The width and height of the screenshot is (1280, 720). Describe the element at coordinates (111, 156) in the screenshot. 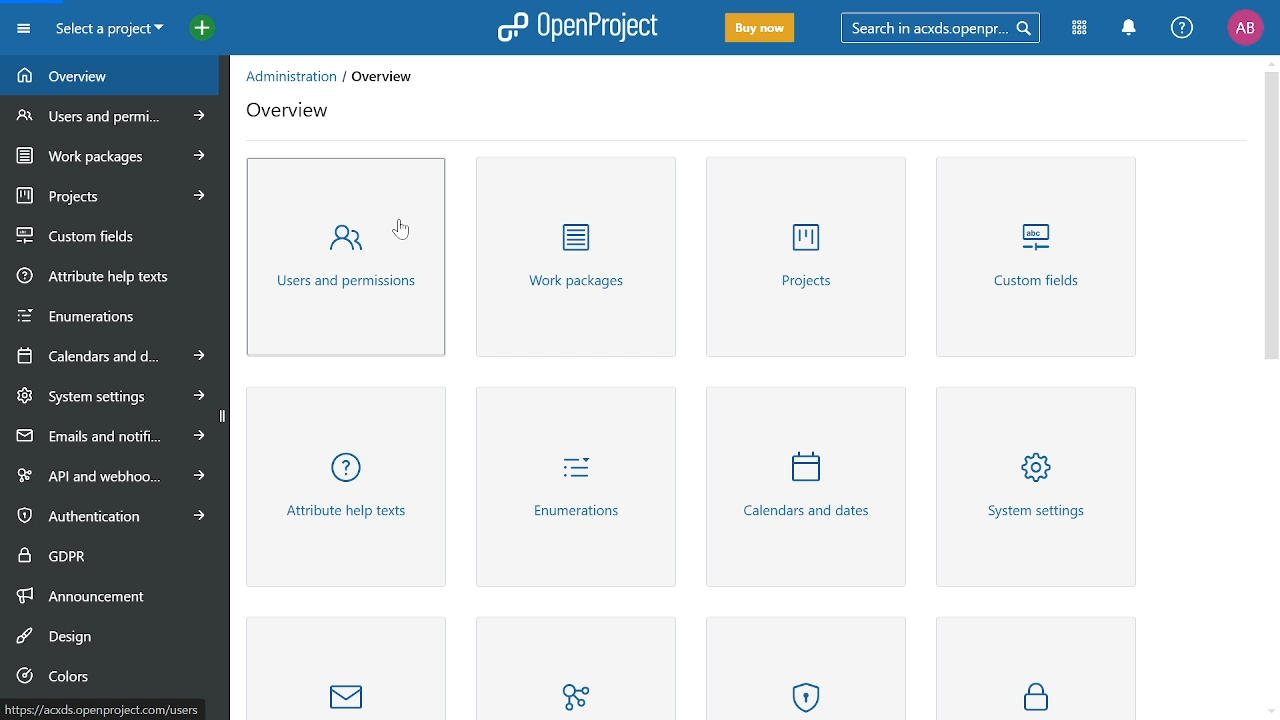

I see `Work progress` at that location.